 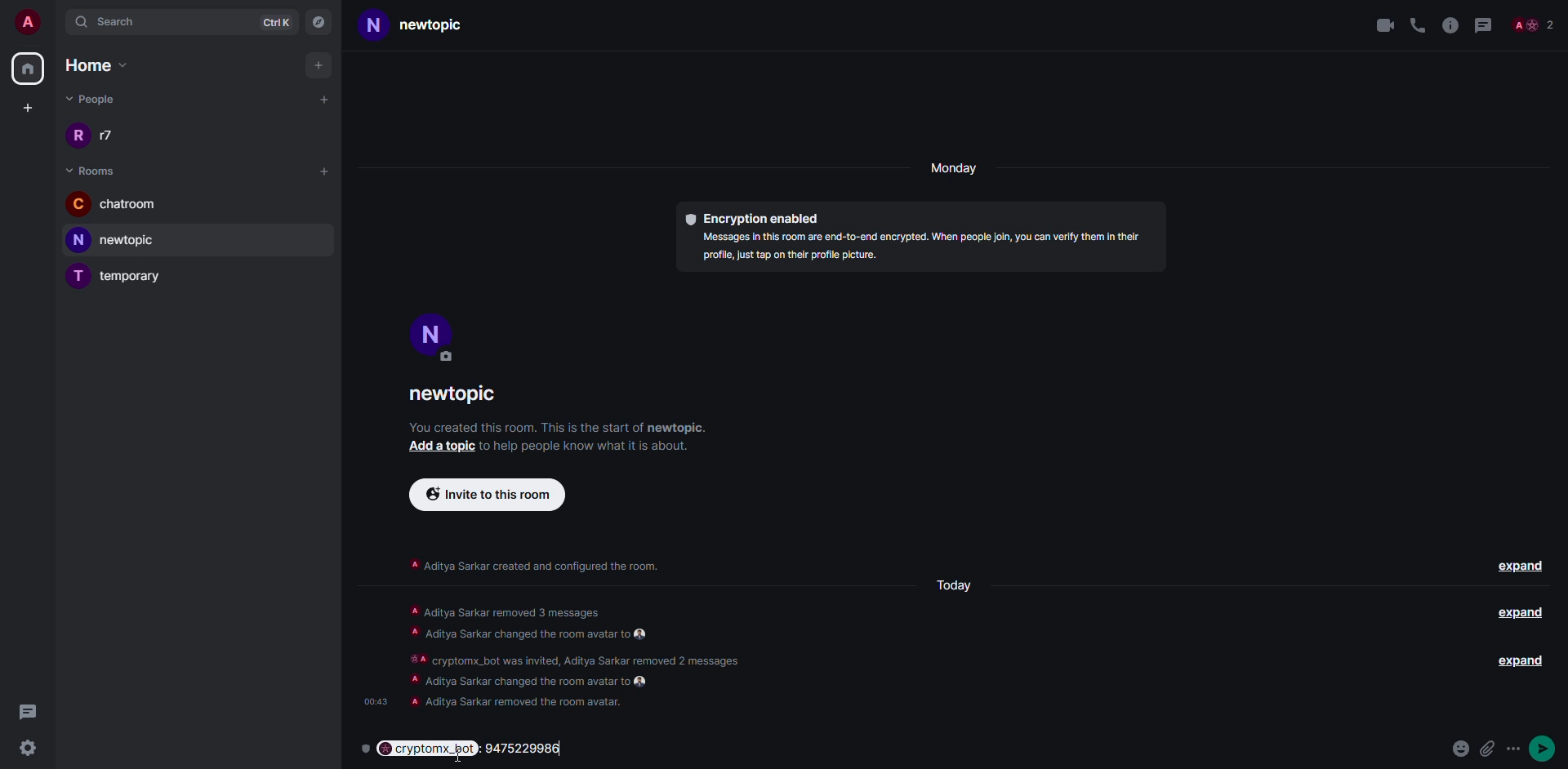 I want to click on profile, so click(x=432, y=336).